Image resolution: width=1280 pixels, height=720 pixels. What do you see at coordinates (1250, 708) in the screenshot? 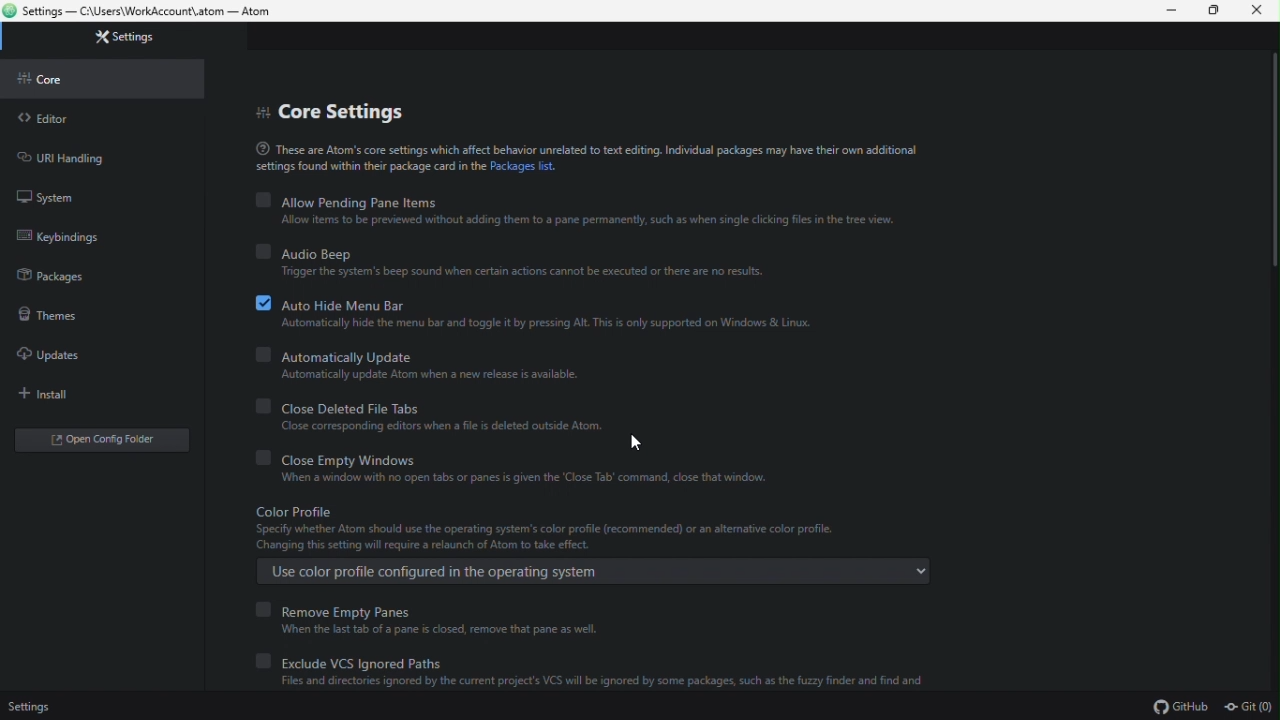
I see `git` at bounding box center [1250, 708].